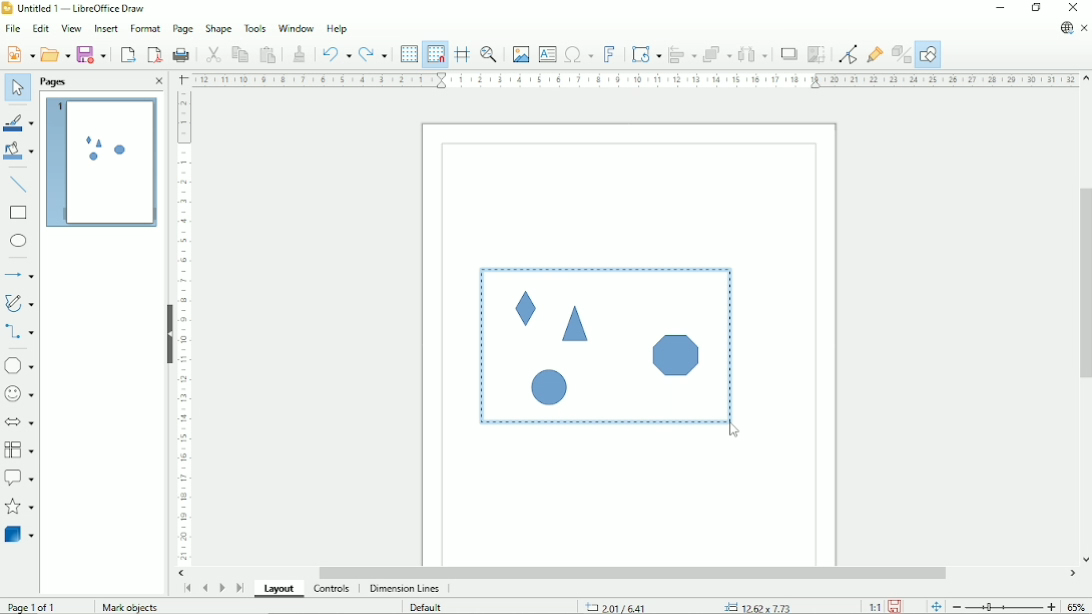 This screenshot has width=1092, height=614. What do you see at coordinates (435, 53) in the screenshot?
I see `Snap to grid` at bounding box center [435, 53].